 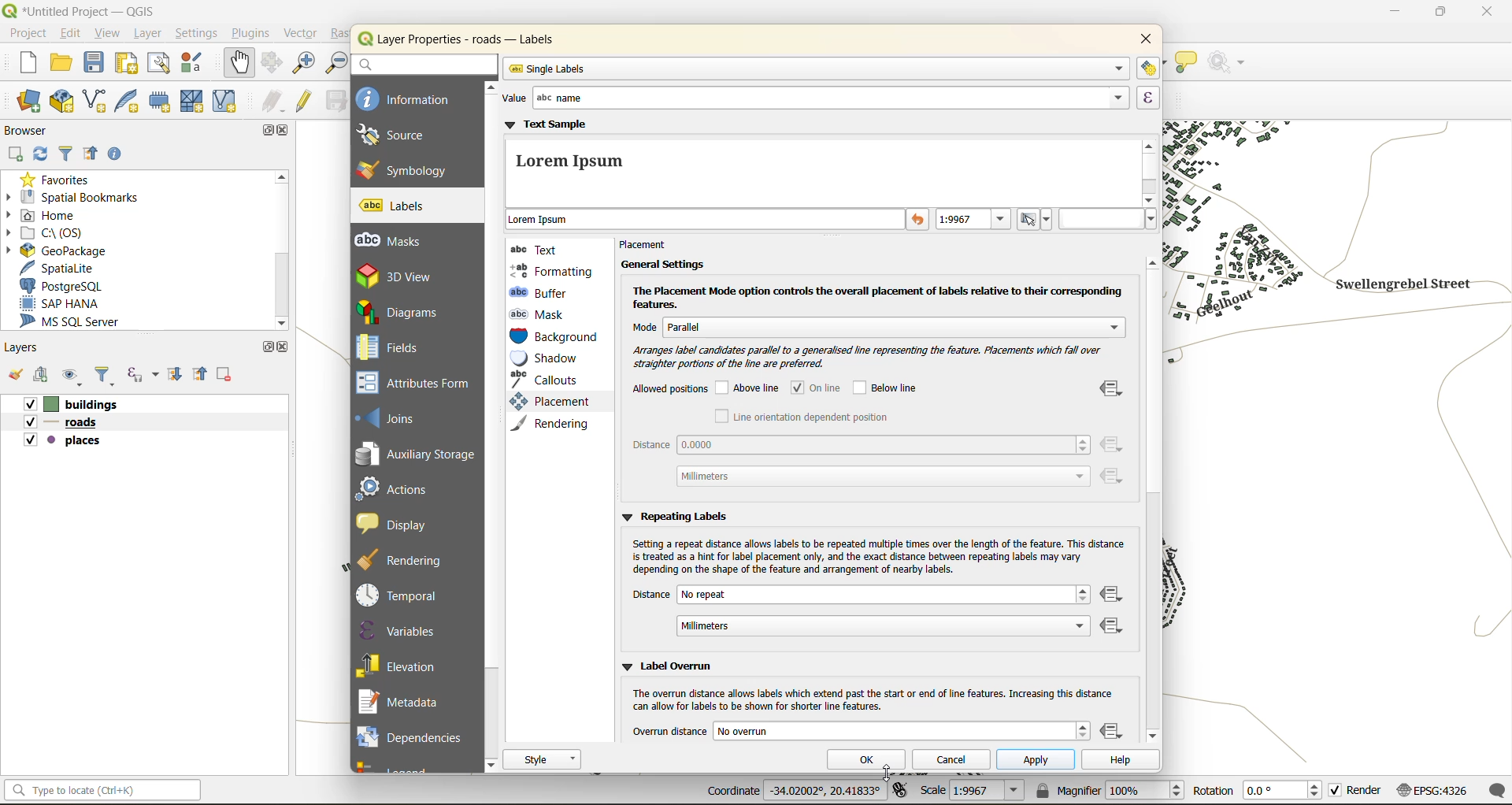 I want to click on expand all, so click(x=171, y=377).